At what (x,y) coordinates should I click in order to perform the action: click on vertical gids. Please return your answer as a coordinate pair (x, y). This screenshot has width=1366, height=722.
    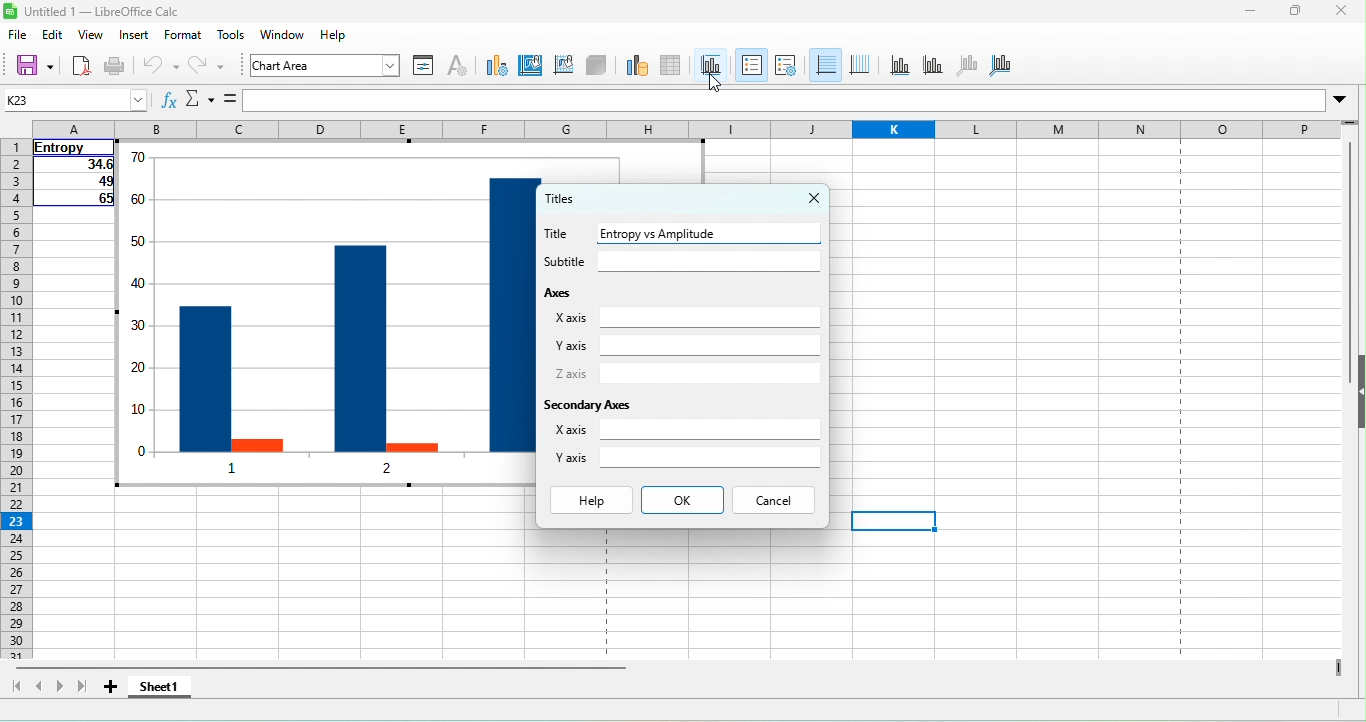
    Looking at the image, I should click on (864, 65).